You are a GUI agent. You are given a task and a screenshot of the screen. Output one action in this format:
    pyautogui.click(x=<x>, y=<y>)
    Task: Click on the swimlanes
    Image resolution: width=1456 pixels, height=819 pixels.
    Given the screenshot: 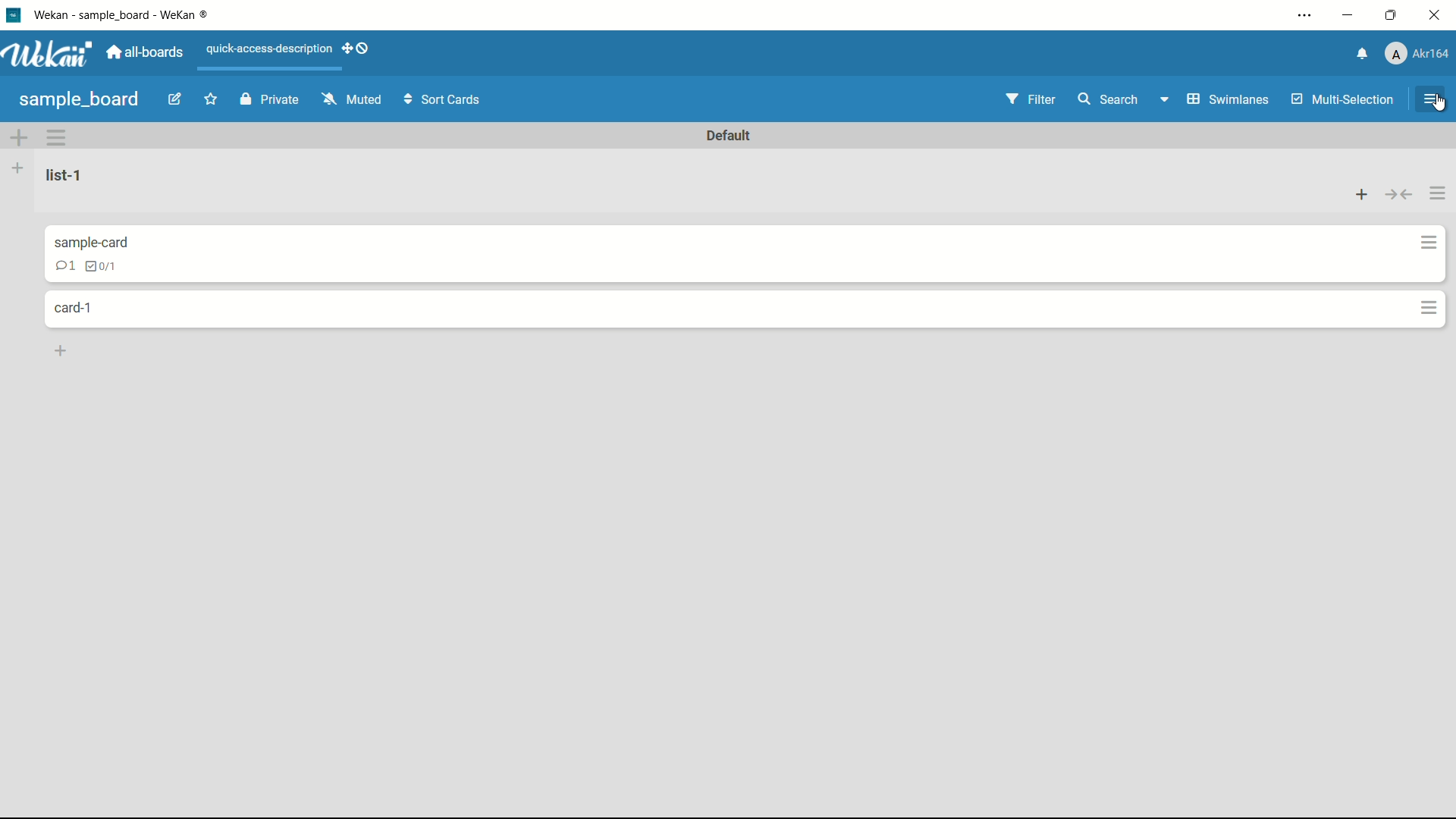 What is the action you would take?
    pyautogui.click(x=1217, y=99)
    